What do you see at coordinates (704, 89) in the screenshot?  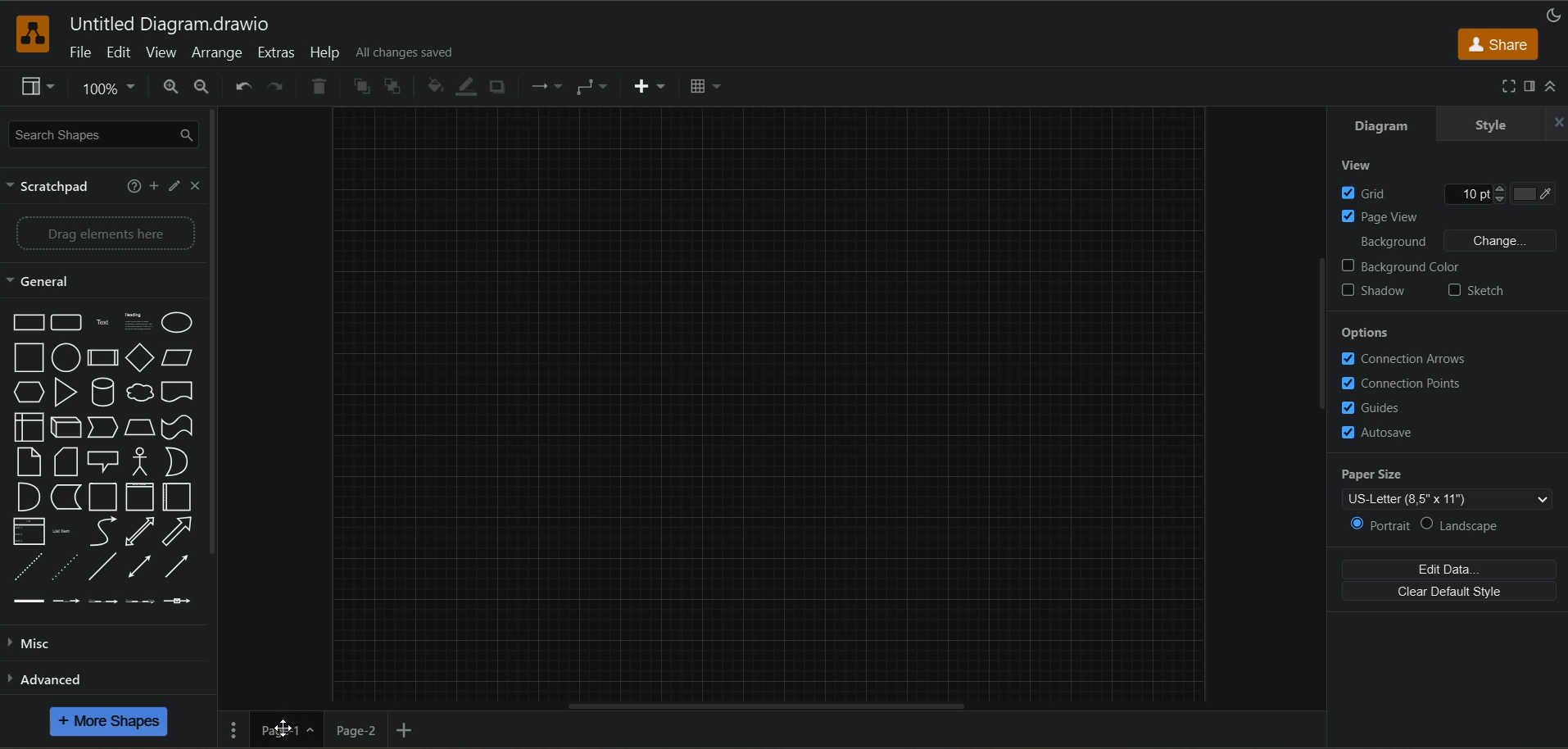 I see `table` at bounding box center [704, 89].